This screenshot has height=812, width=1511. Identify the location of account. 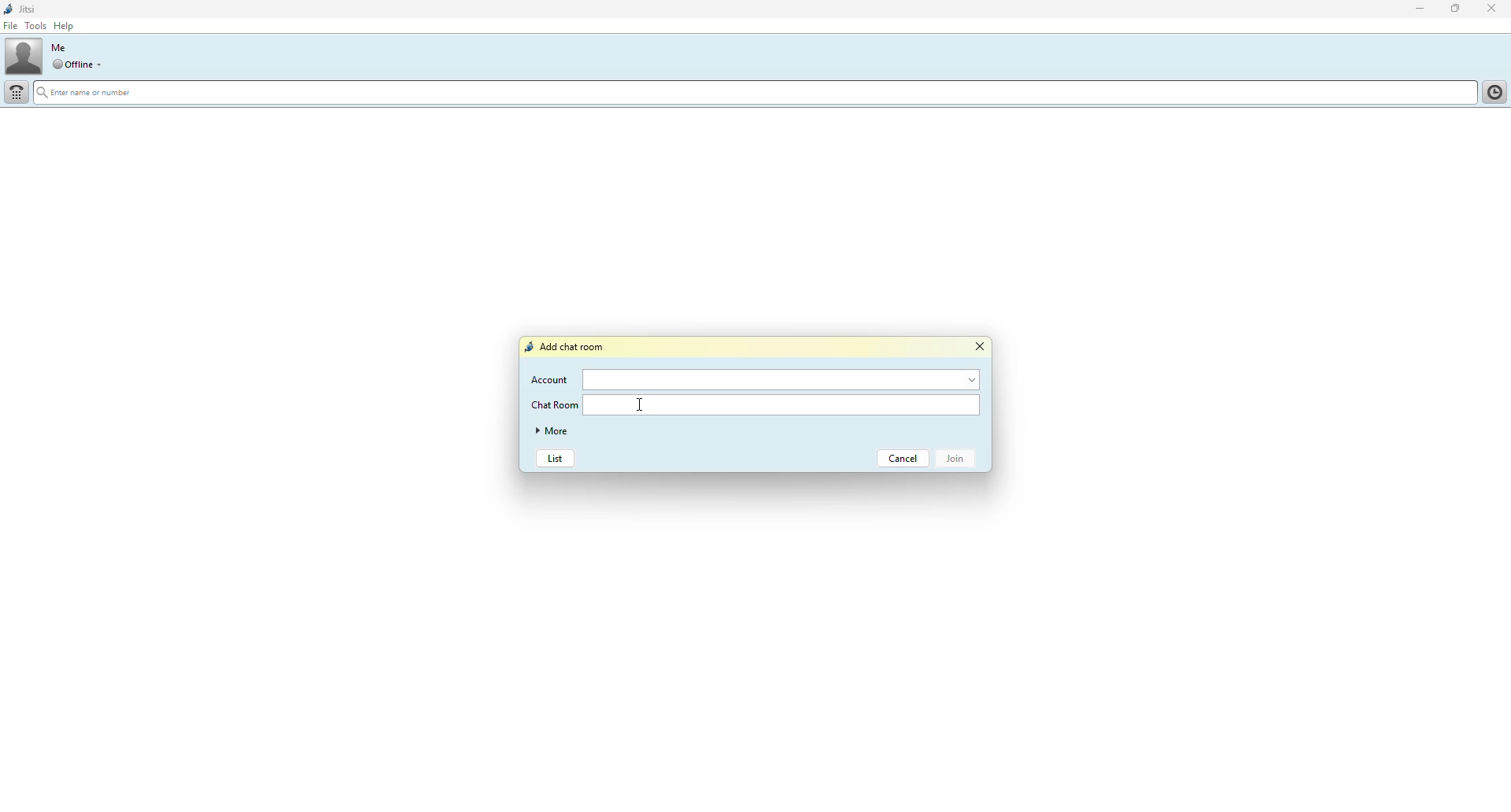
(551, 379).